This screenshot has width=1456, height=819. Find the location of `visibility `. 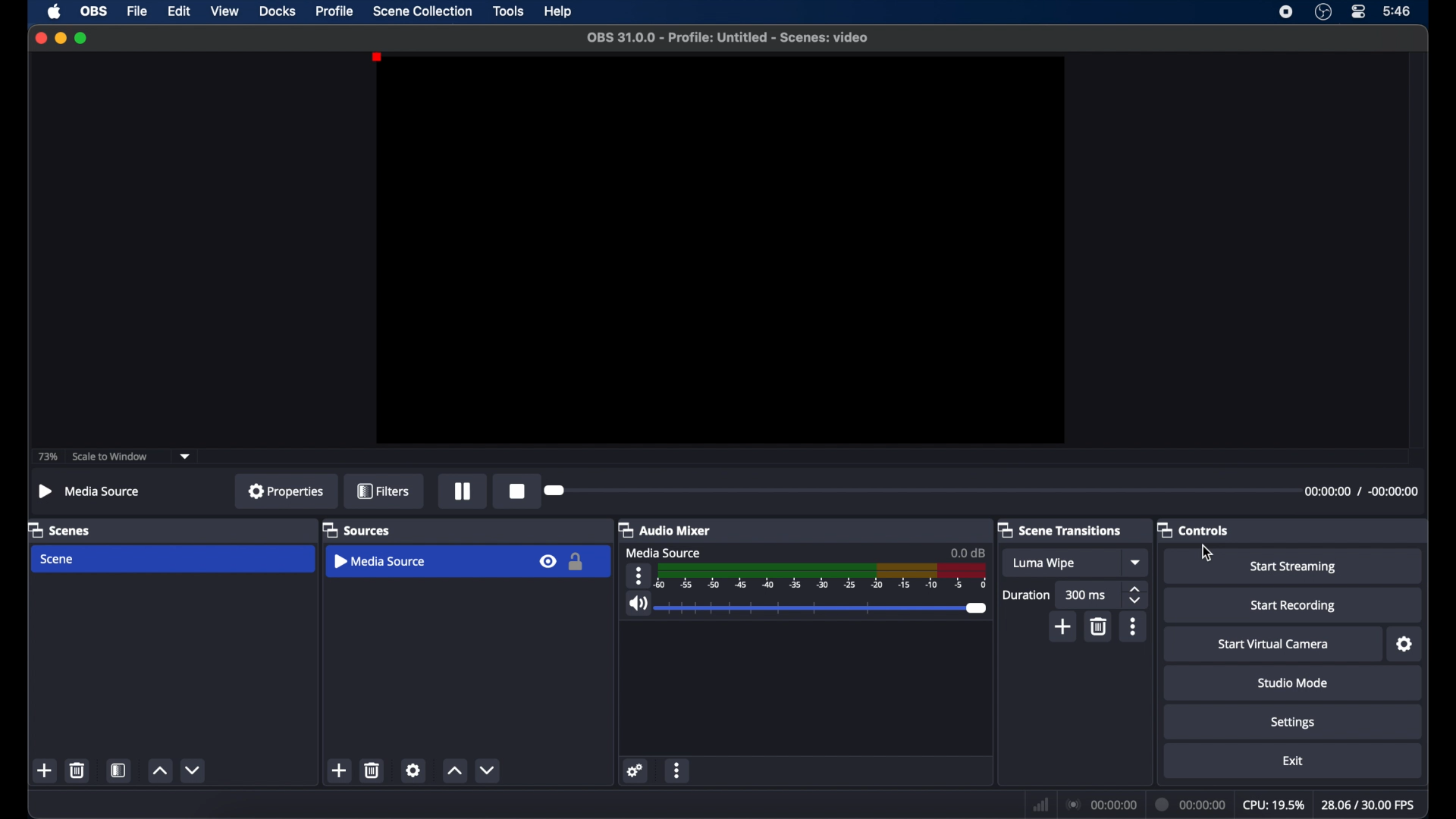

visibility  is located at coordinates (547, 562).